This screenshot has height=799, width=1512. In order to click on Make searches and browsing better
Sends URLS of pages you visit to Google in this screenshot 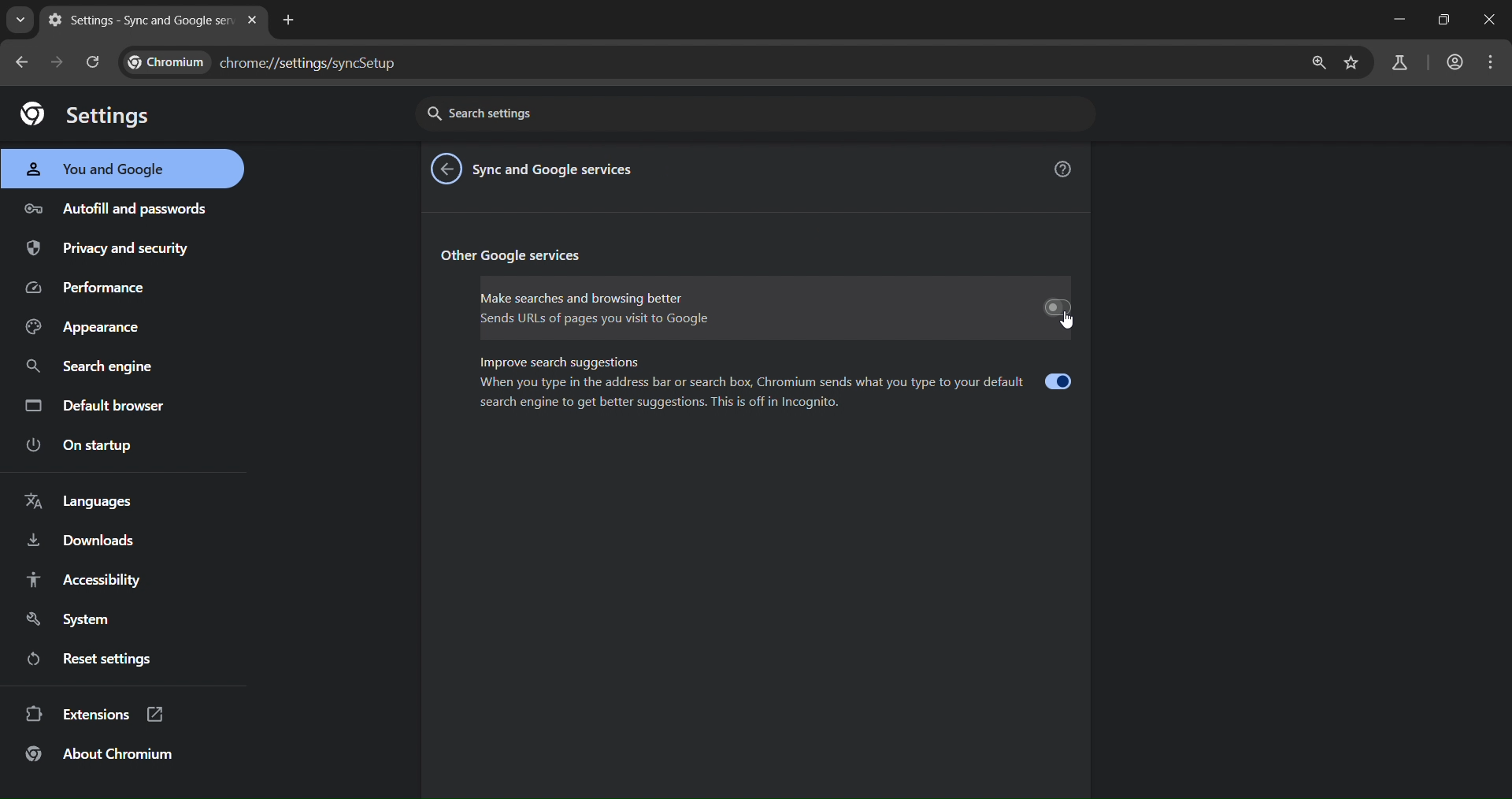, I will do `click(774, 309)`.